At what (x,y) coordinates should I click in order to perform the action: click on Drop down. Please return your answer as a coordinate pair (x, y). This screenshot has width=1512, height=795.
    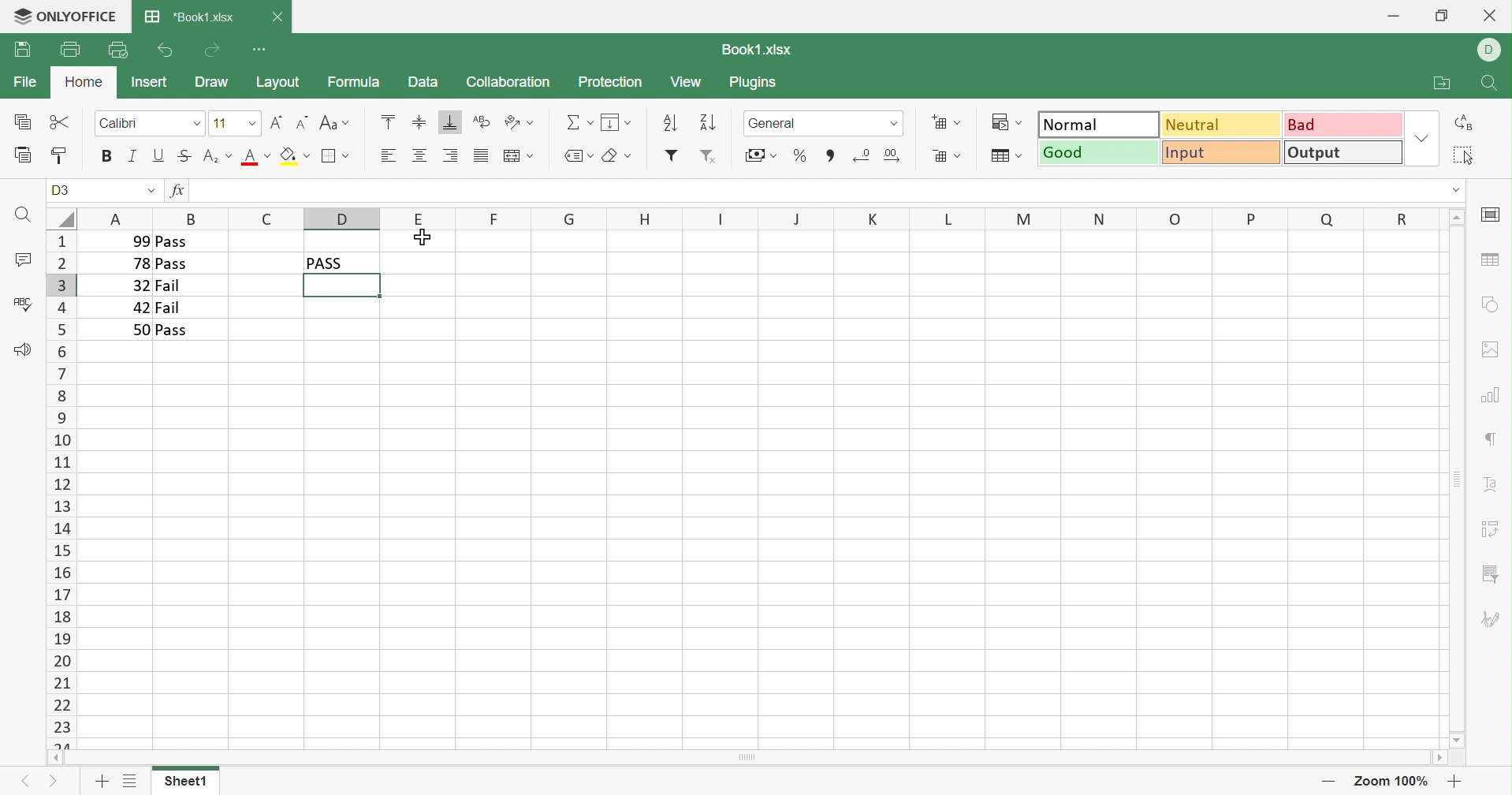
    Looking at the image, I should click on (1425, 137).